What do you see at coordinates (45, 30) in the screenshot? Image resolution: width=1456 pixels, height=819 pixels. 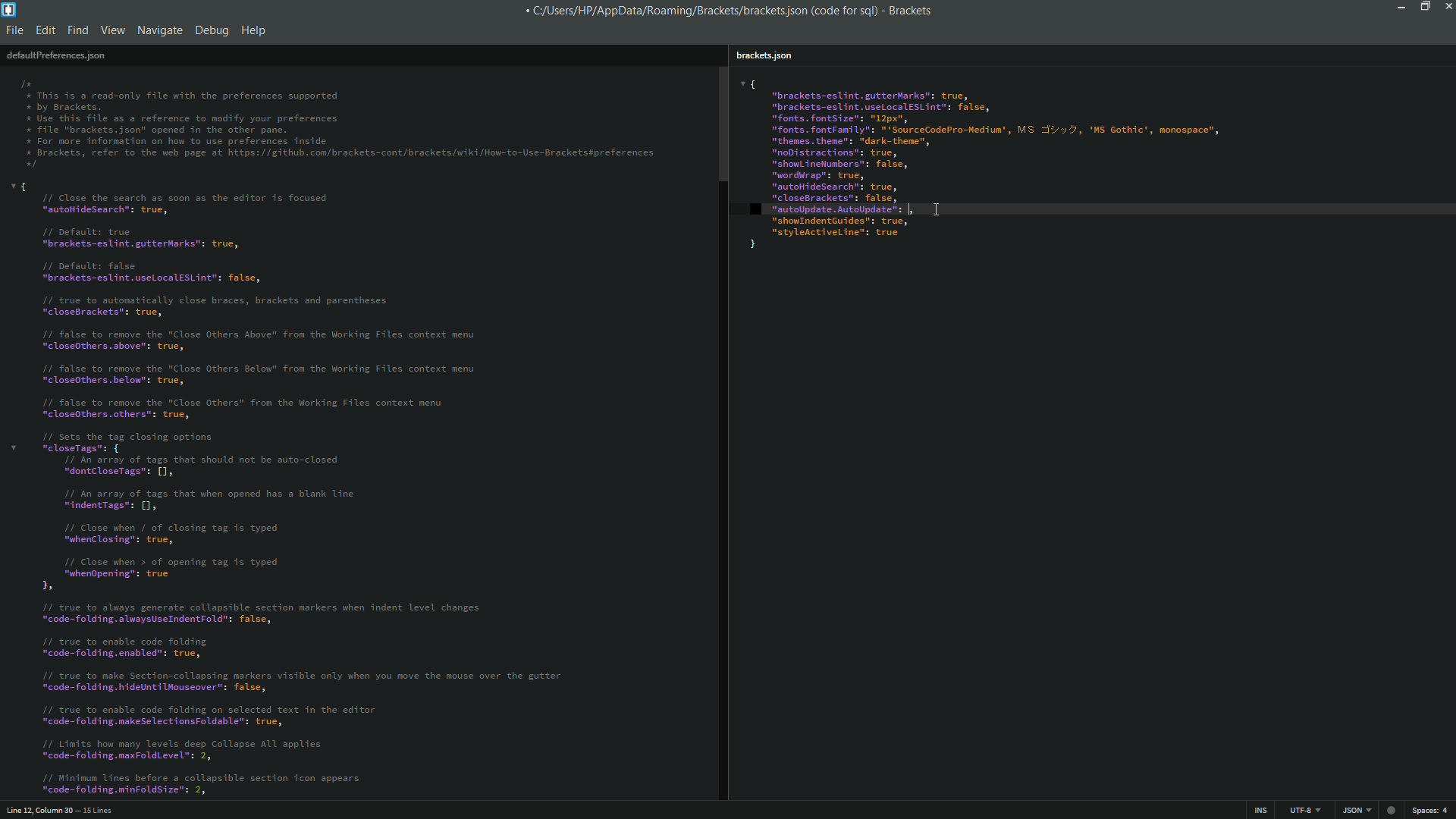 I see `edit menu` at bounding box center [45, 30].